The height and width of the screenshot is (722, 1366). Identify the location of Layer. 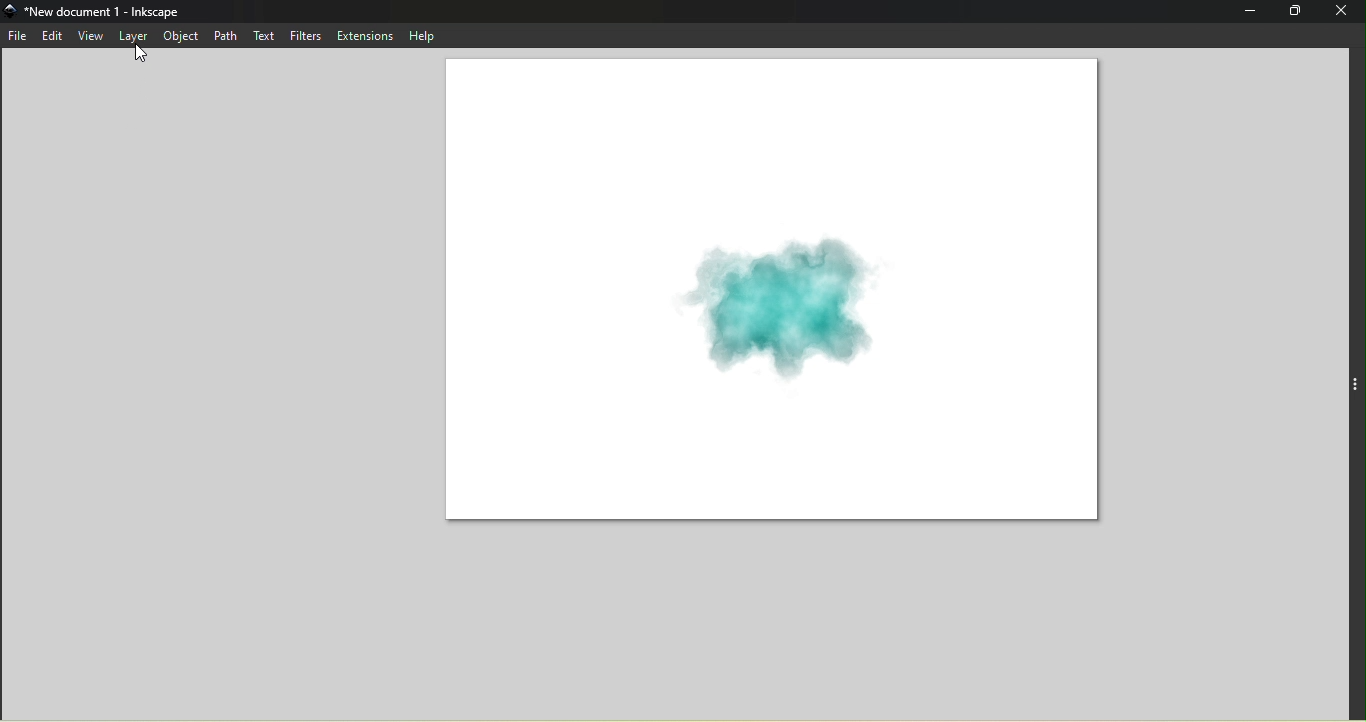
(134, 34).